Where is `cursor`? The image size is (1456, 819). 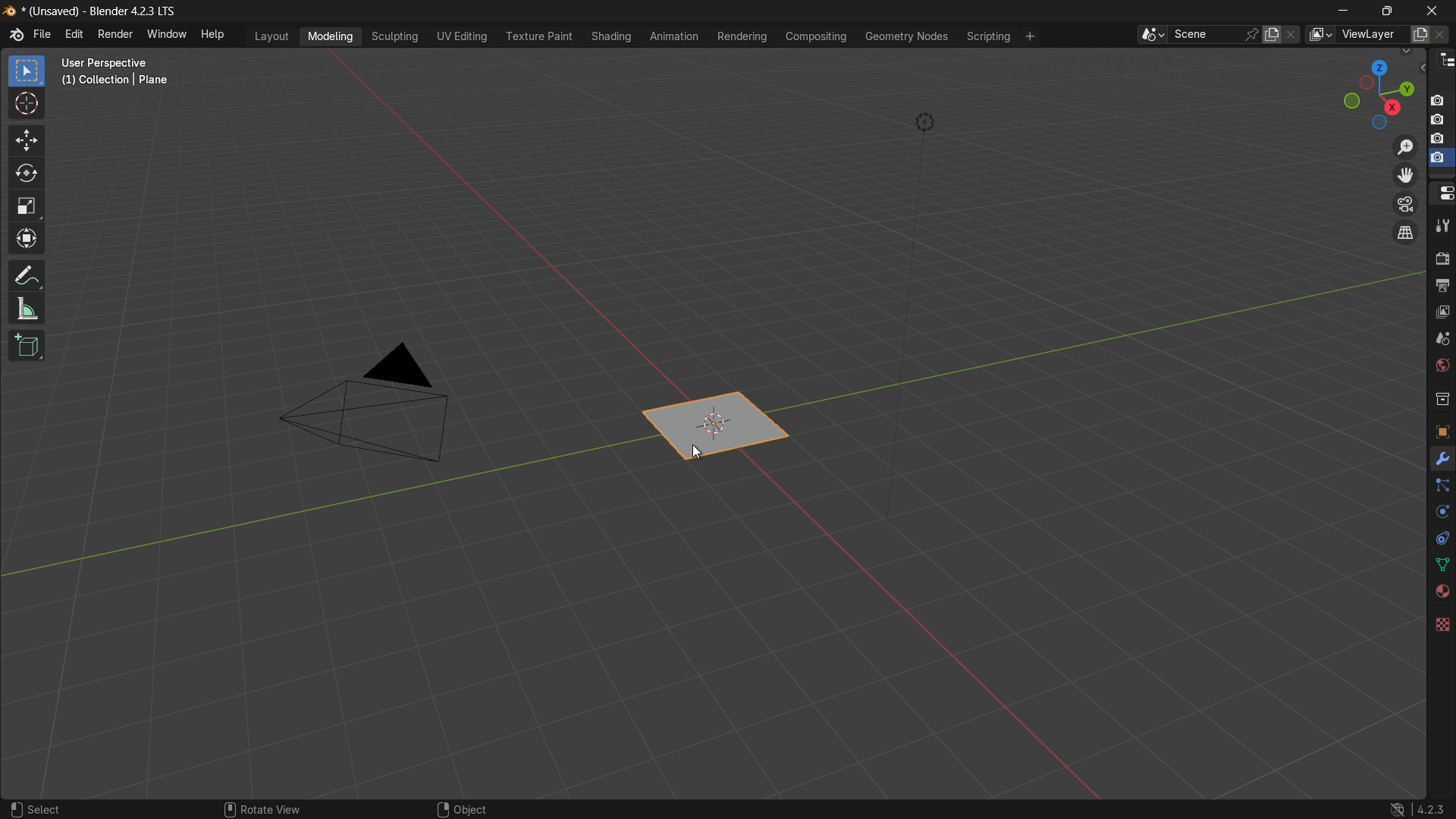
cursor is located at coordinates (694, 447).